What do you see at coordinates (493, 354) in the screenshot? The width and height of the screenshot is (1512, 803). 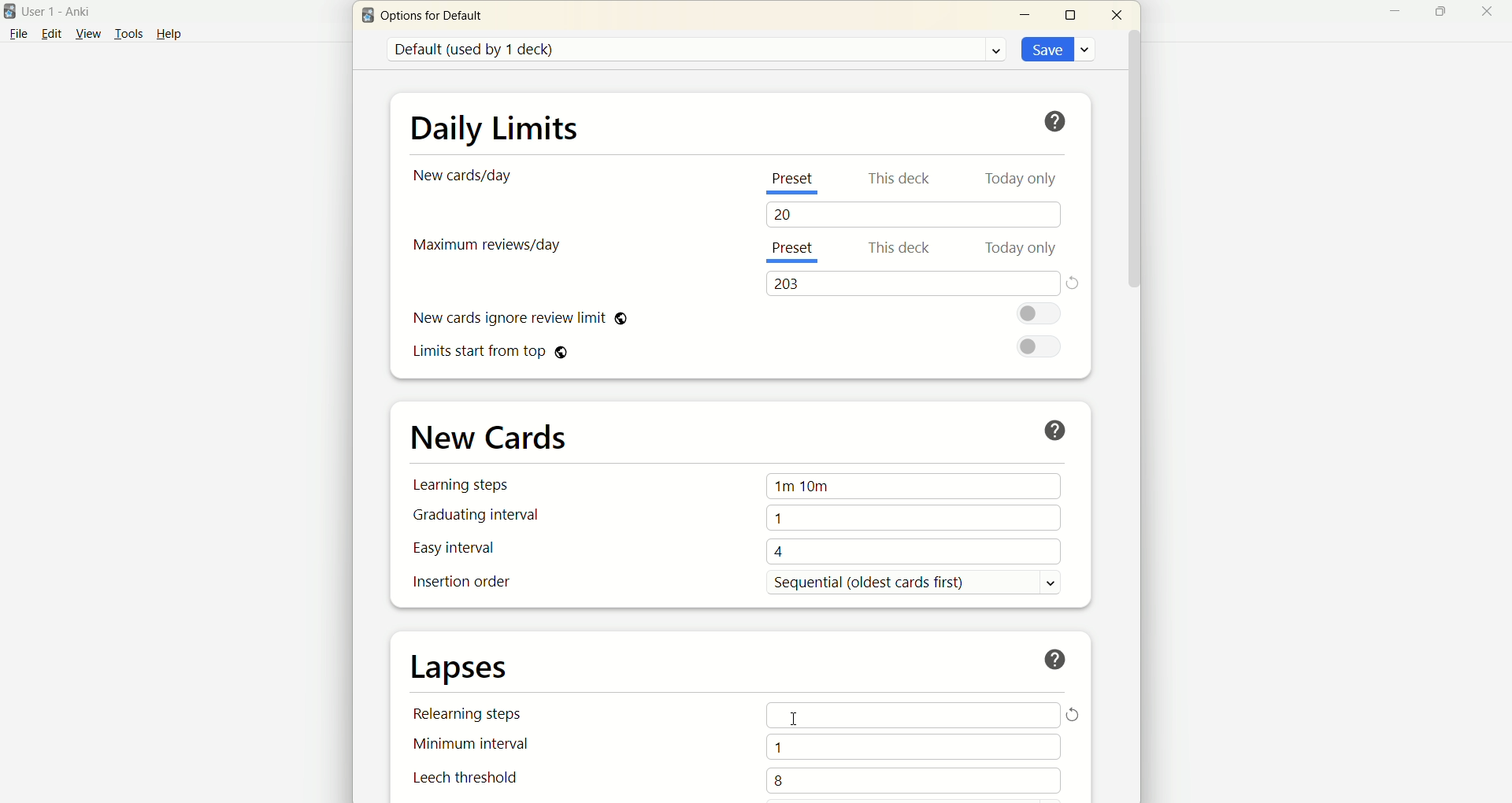 I see `limits start from top` at bounding box center [493, 354].